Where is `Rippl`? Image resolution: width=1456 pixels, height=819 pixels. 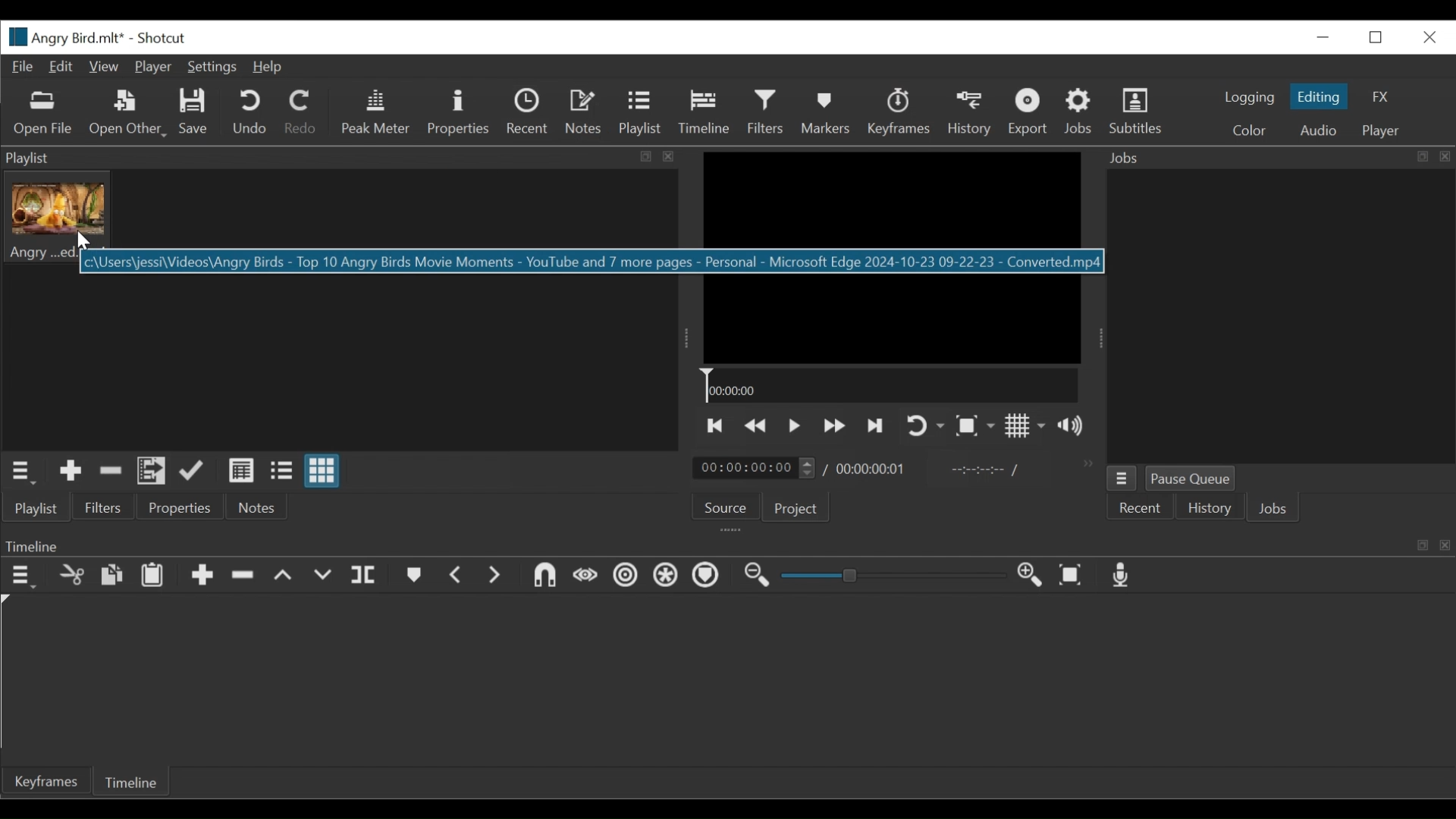 Rippl is located at coordinates (629, 577).